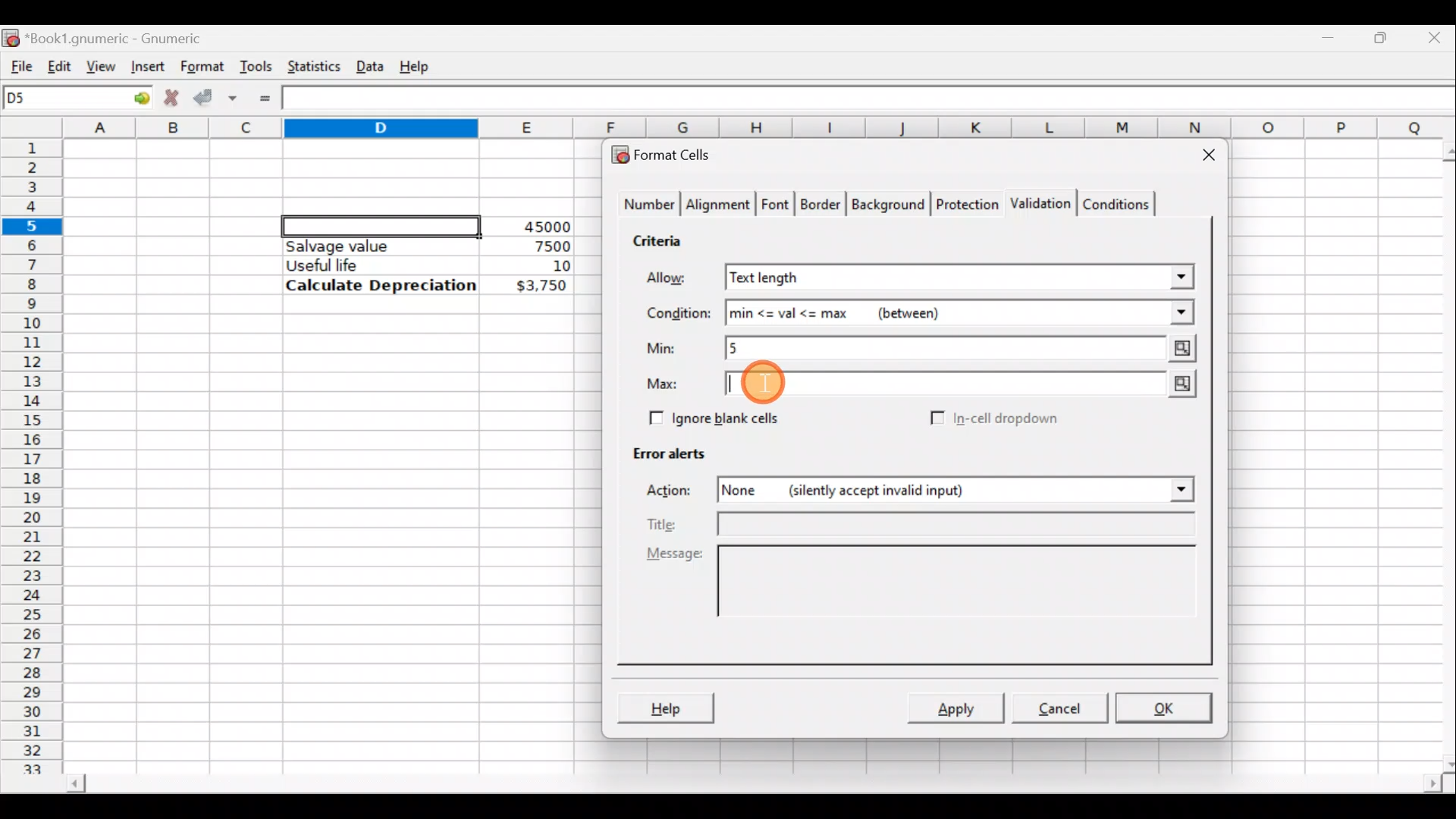 The width and height of the screenshot is (1456, 819). What do you see at coordinates (59, 63) in the screenshot?
I see `Edit` at bounding box center [59, 63].